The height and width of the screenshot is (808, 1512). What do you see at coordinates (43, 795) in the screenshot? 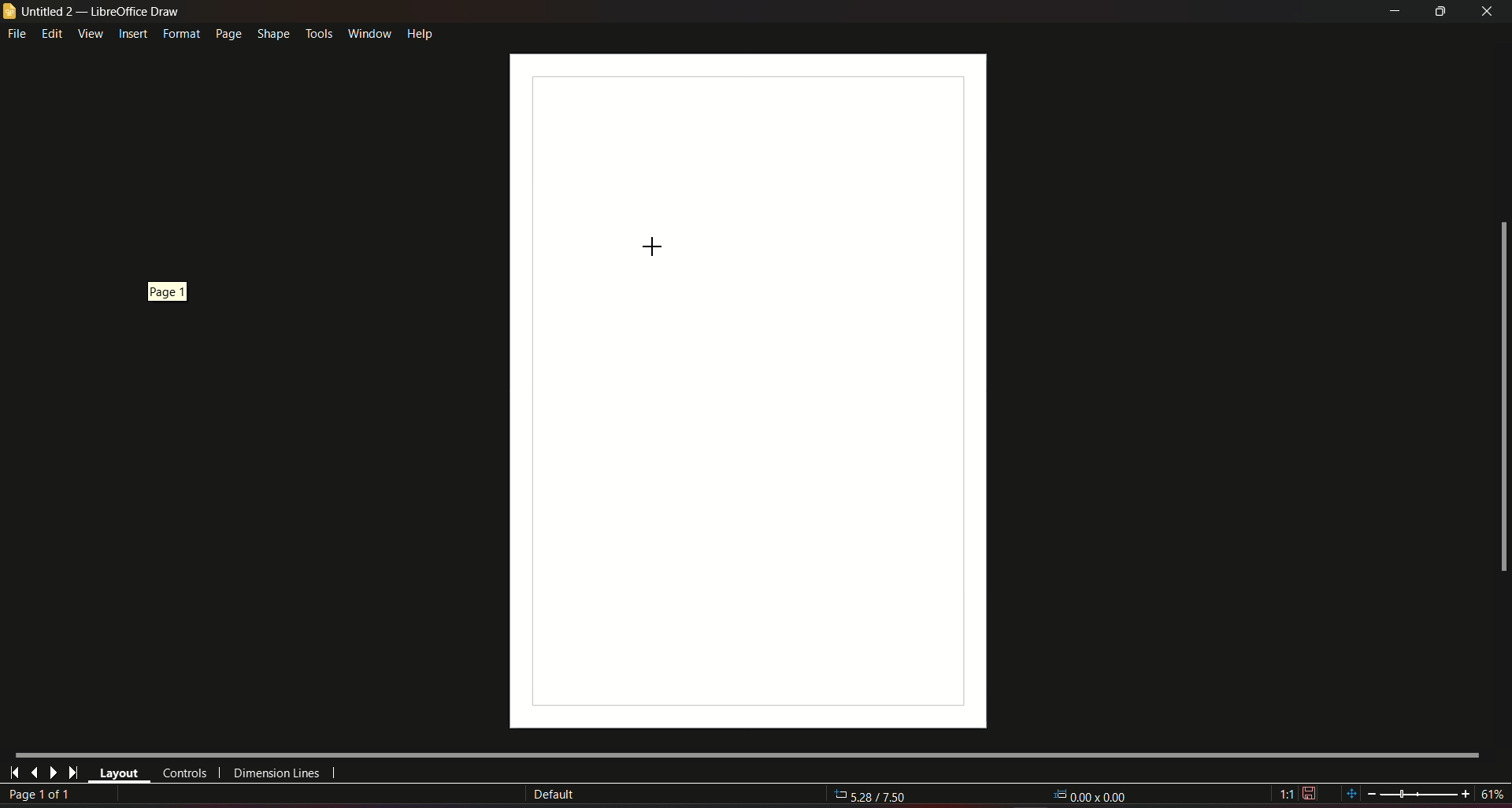
I see `page number` at bounding box center [43, 795].